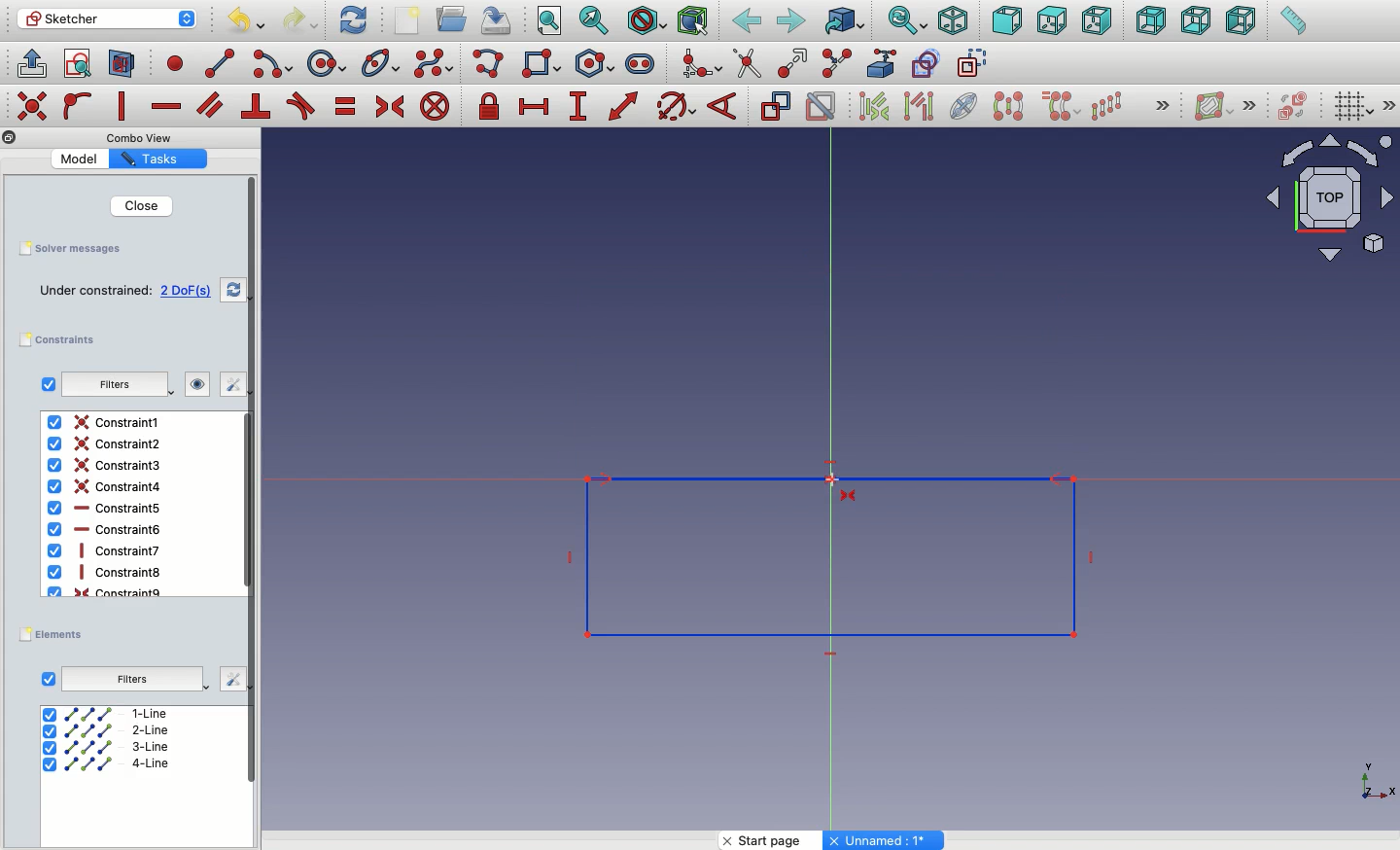 The image size is (1400, 850). Describe the element at coordinates (131, 680) in the screenshot. I see `Filters` at that location.